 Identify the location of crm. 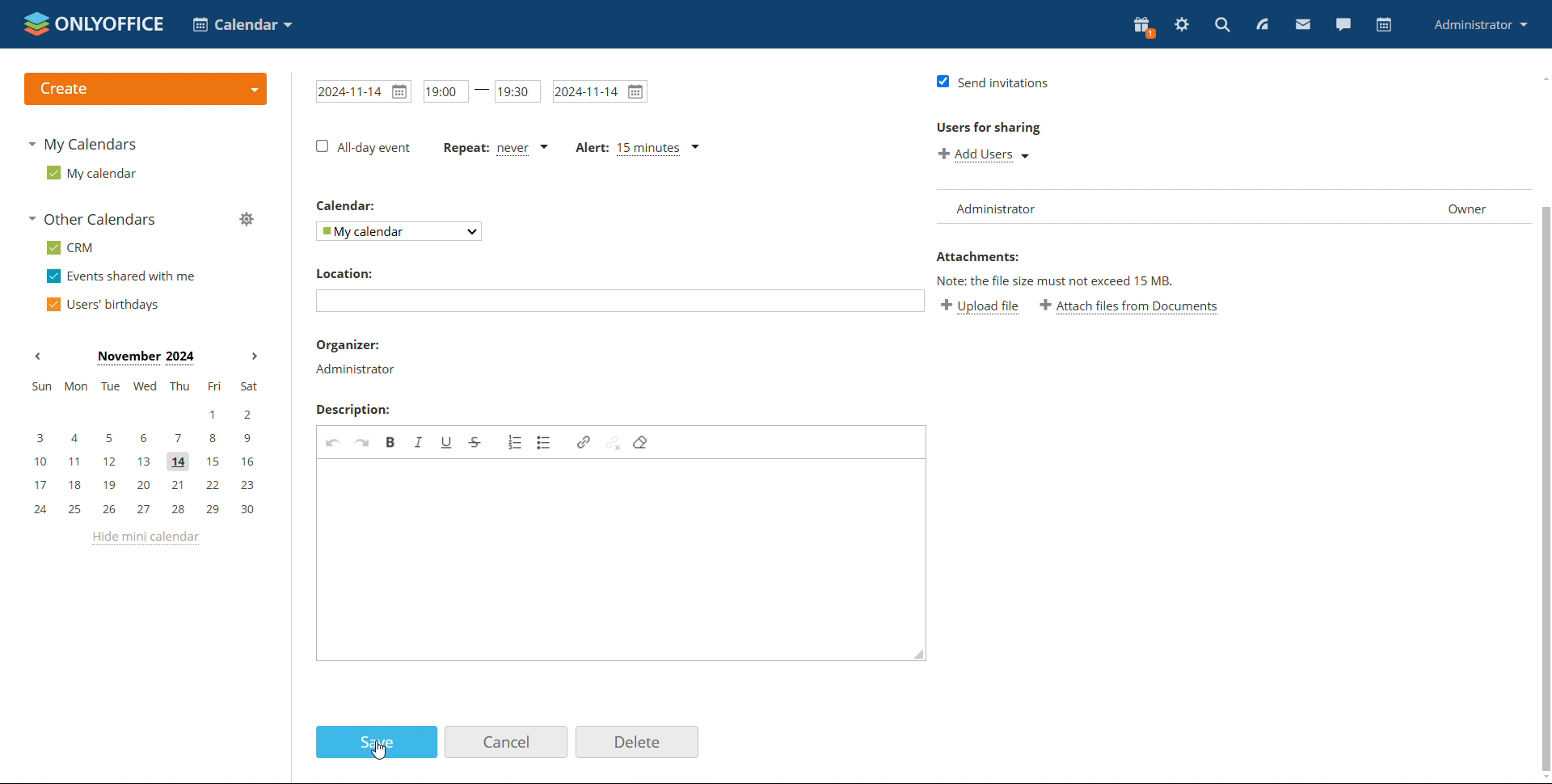
(70, 248).